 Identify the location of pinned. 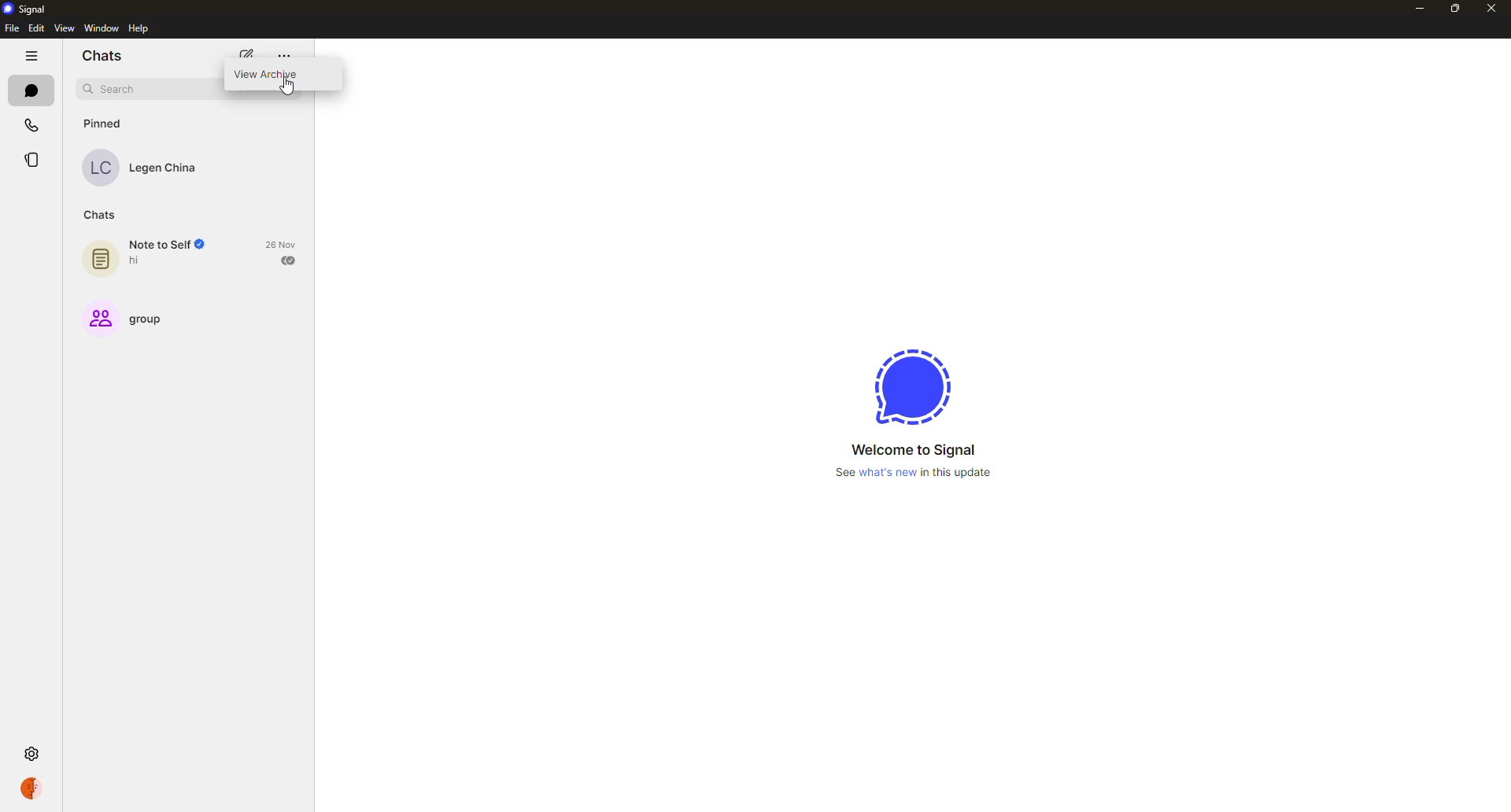
(104, 124).